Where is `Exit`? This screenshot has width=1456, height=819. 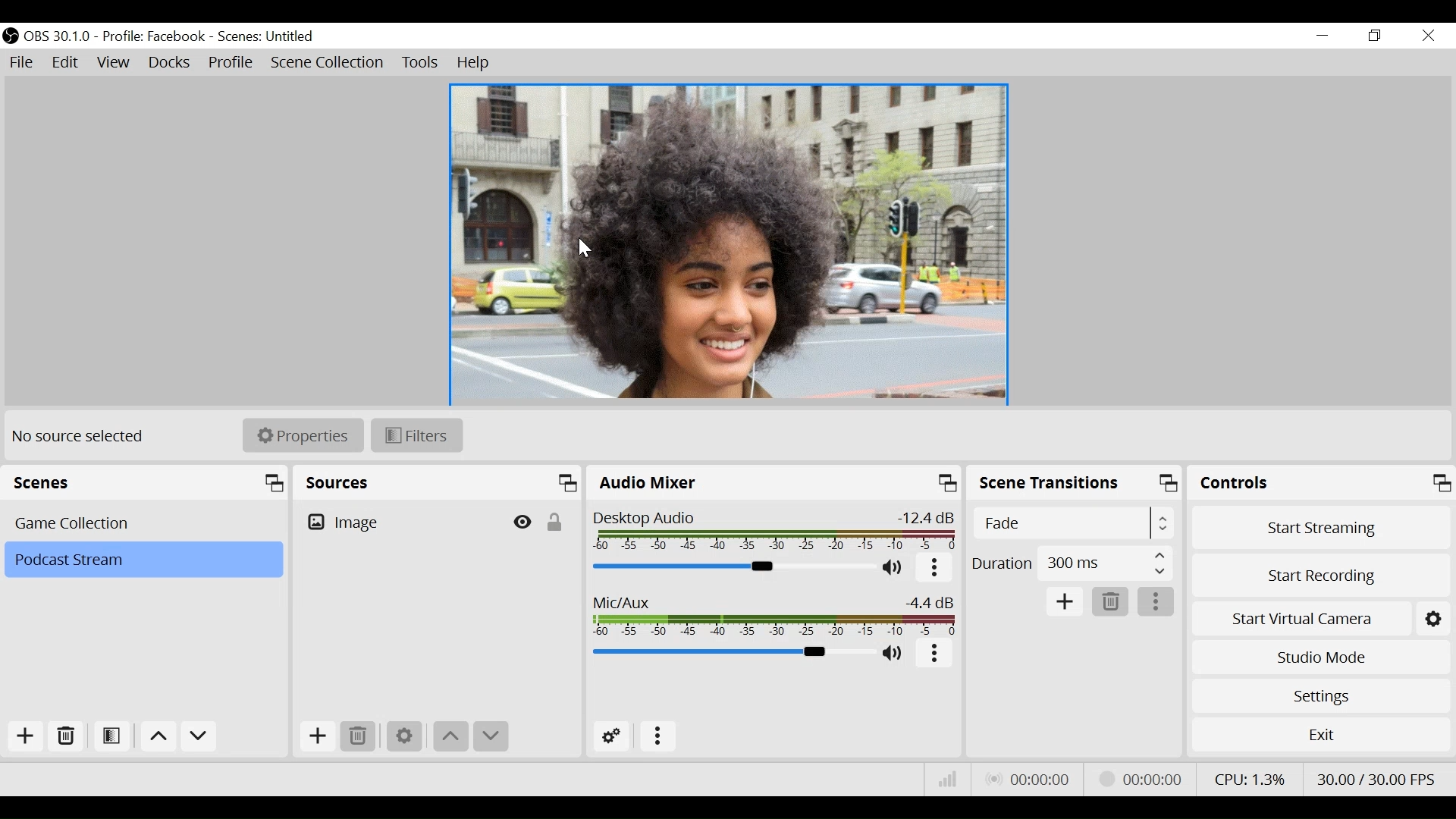
Exit is located at coordinates (1323, 737).